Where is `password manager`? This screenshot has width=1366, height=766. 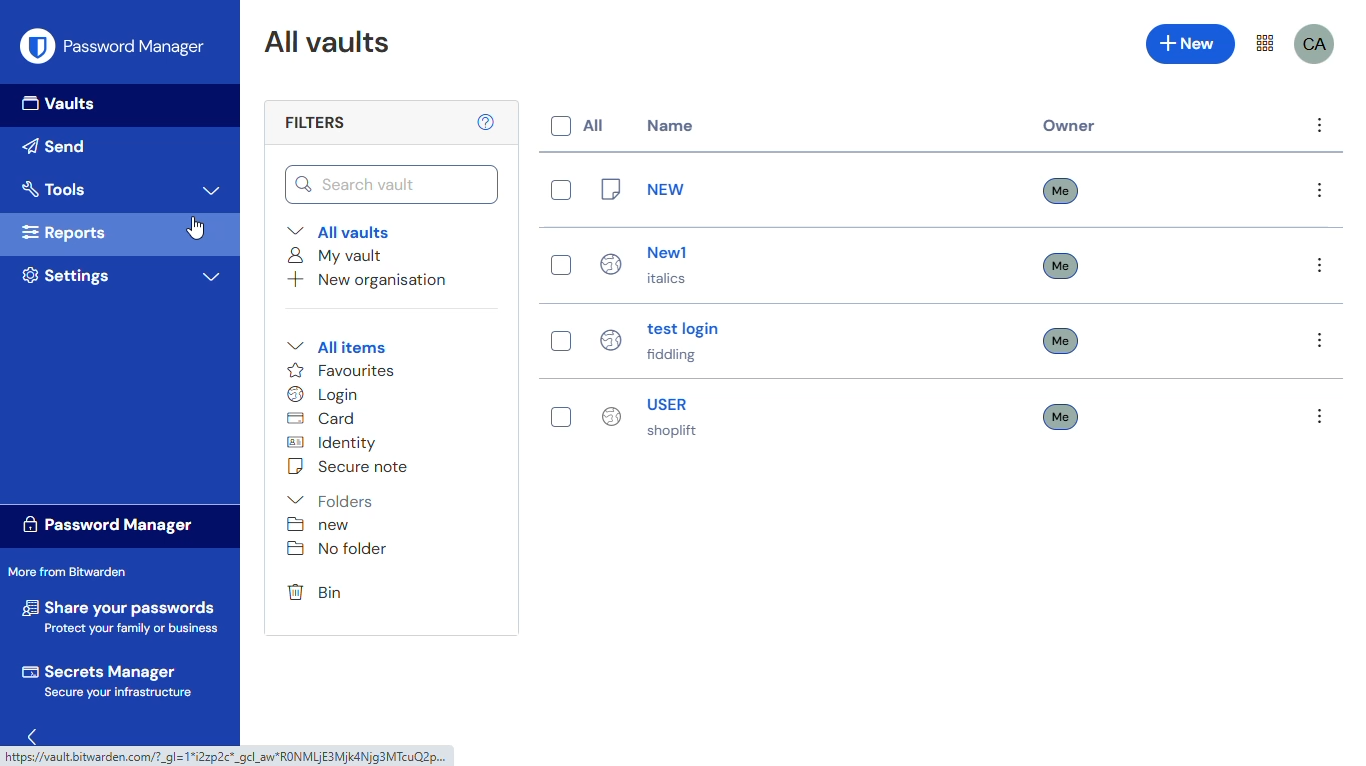 password manager is located at coordinates (135, 46).